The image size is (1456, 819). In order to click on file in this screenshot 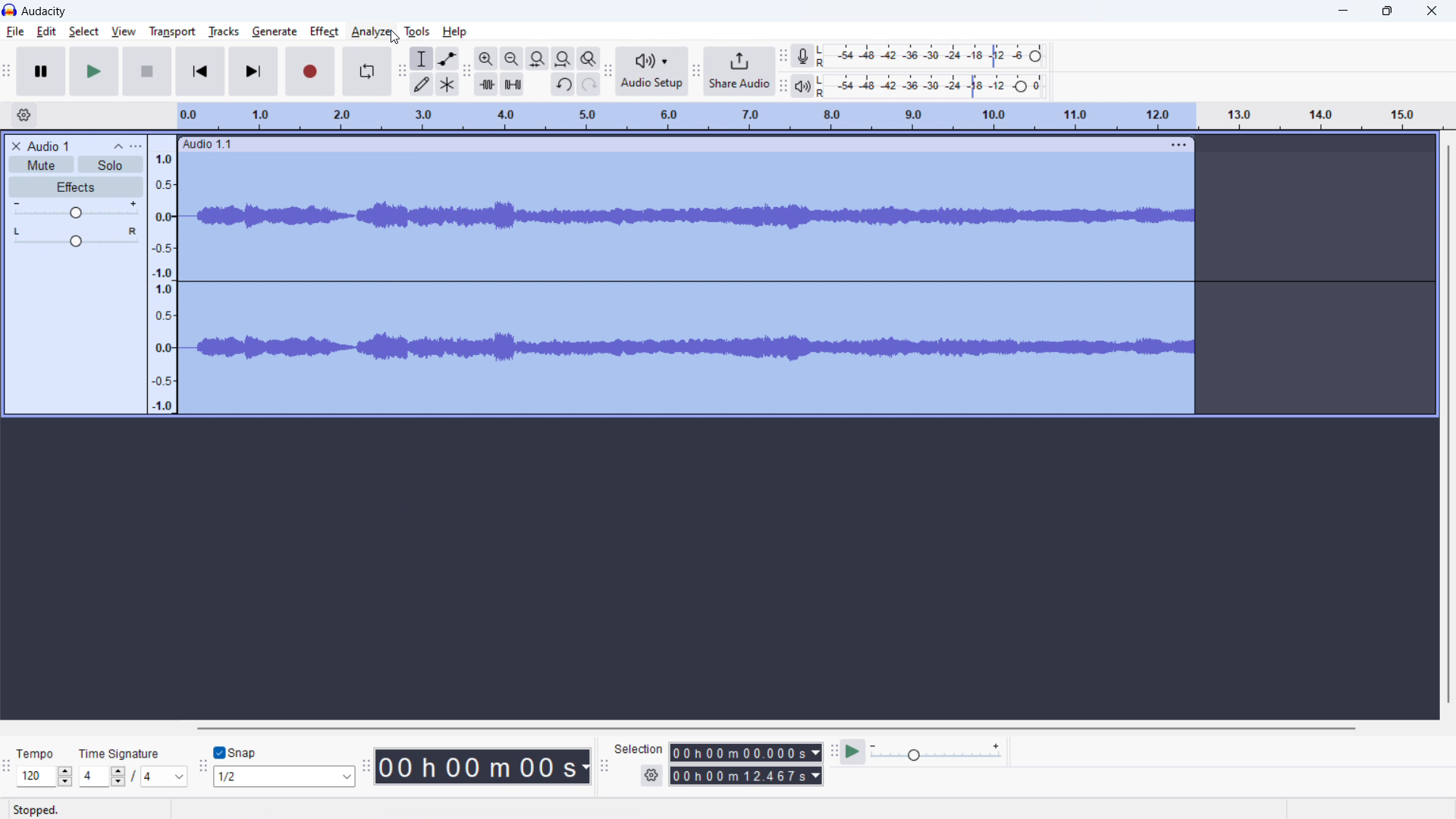, I will do `click(16, 32)`.